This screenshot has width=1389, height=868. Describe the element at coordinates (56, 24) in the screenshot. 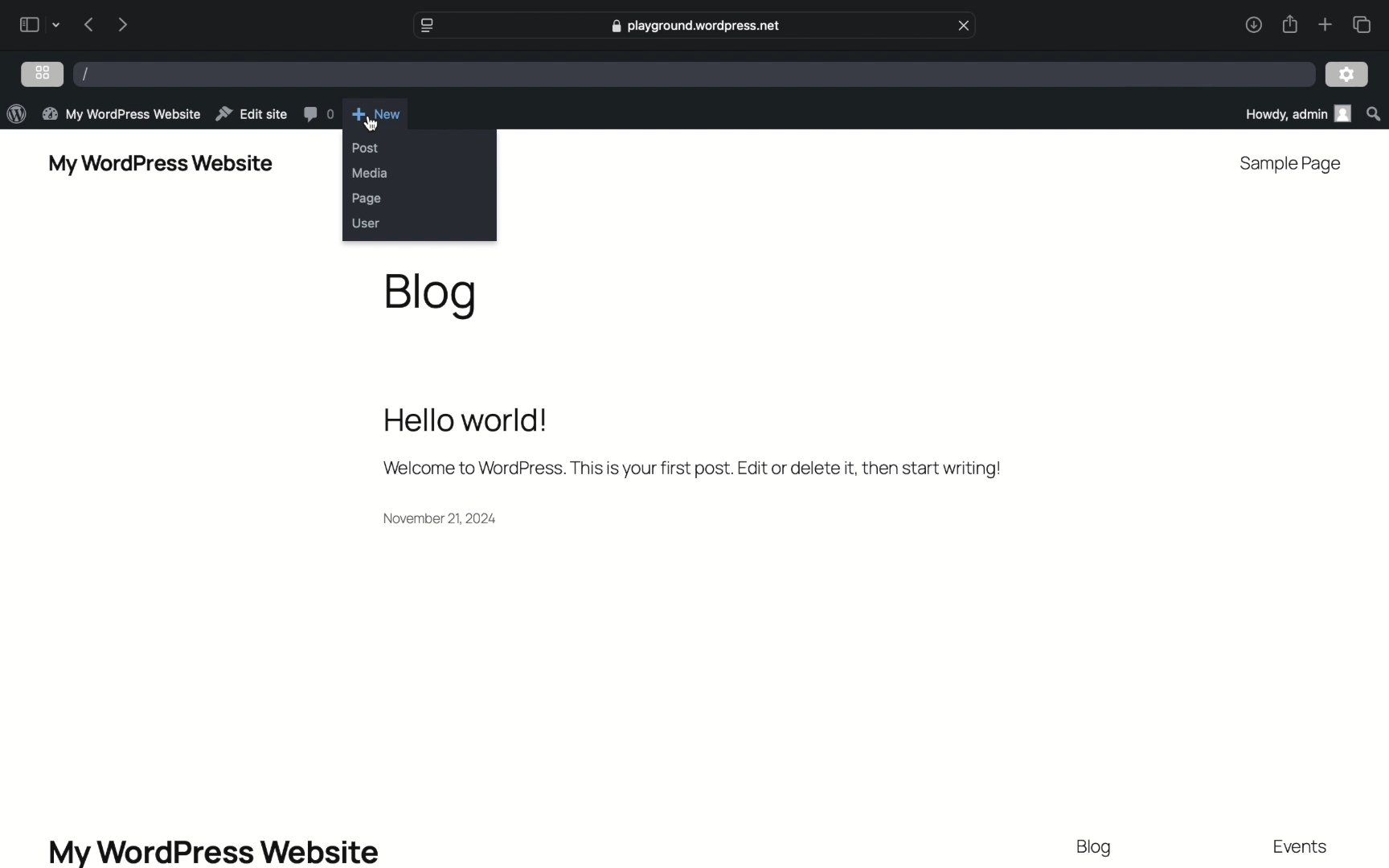

I see `dropdown` at that location.